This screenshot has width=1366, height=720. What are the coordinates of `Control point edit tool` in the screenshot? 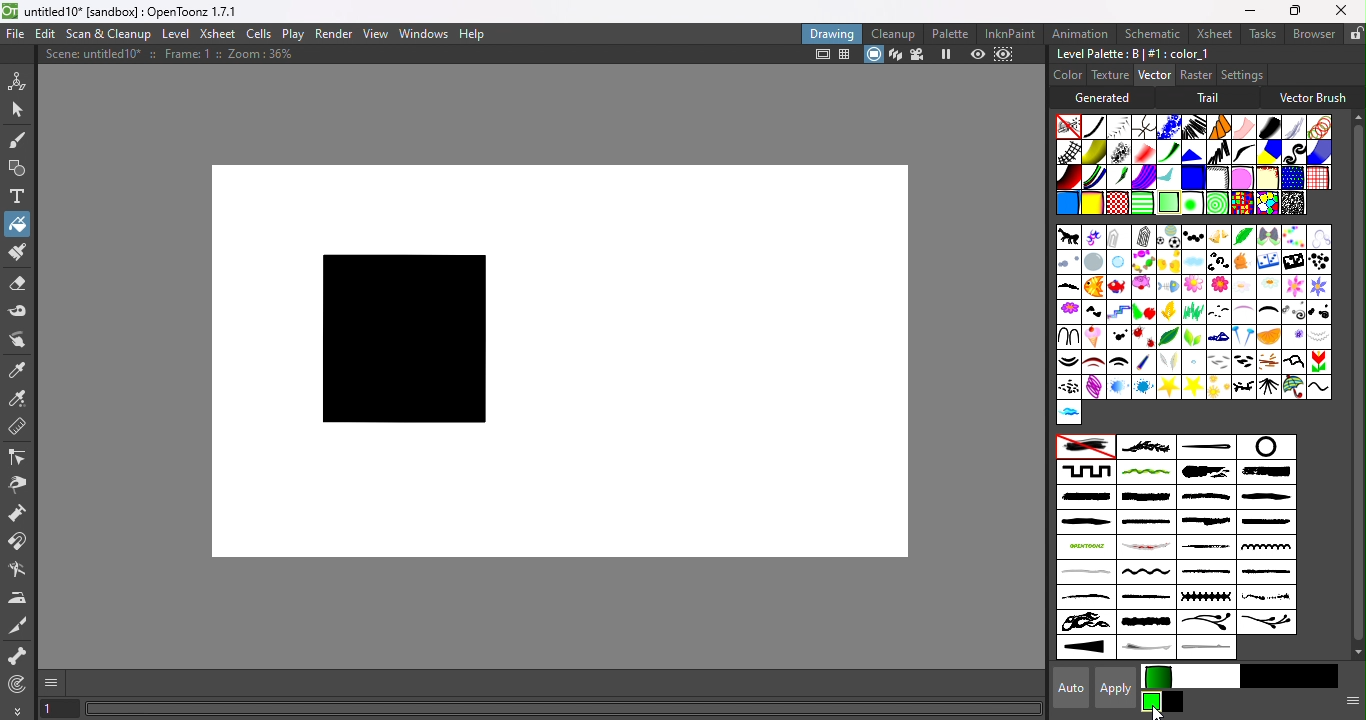 It's located at (20, 456).